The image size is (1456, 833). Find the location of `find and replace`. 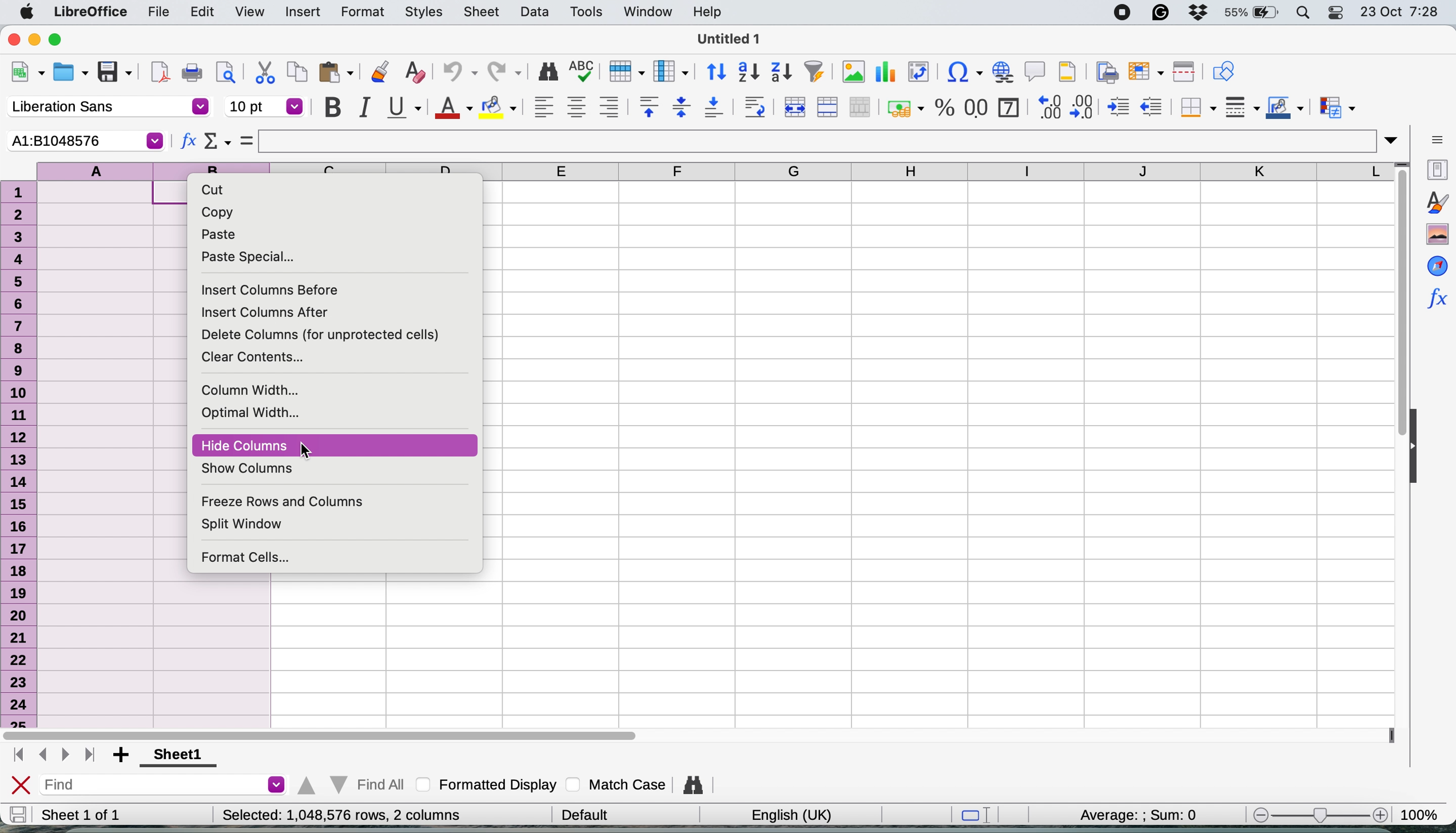

find and replace is located at coordinates (690, 786).